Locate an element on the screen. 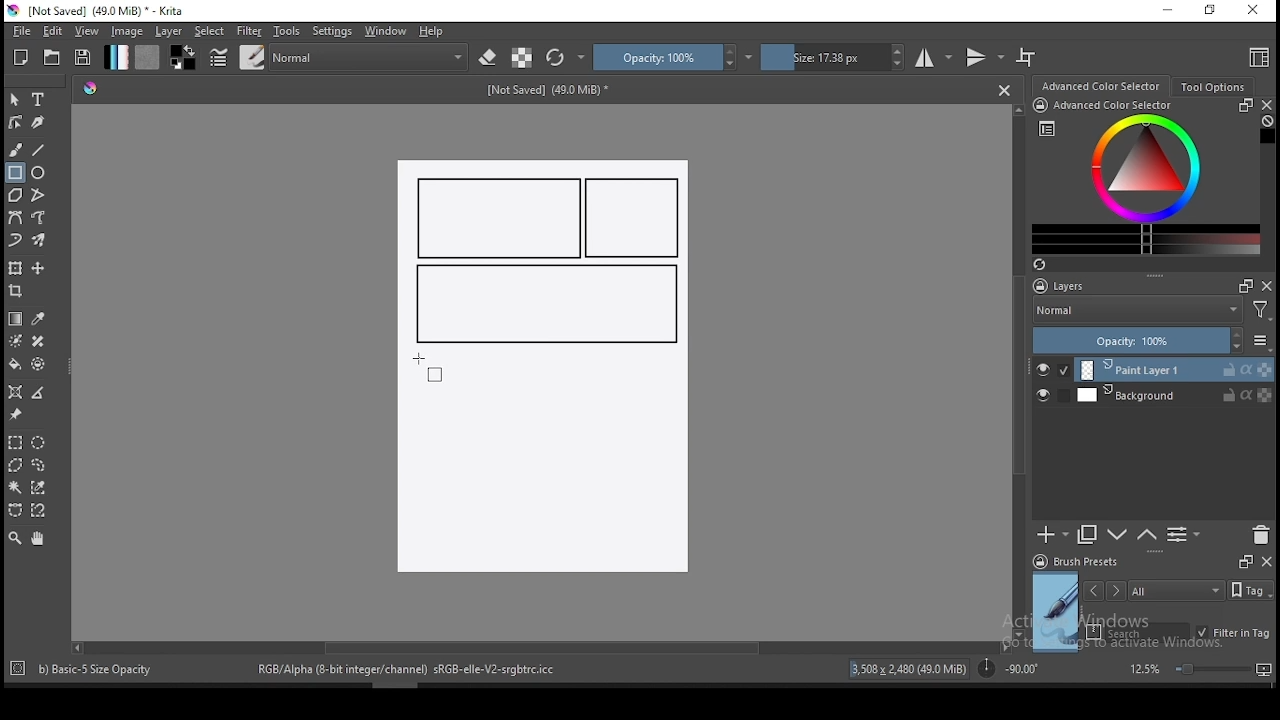  new layer is located at coordinates (1053, 534).